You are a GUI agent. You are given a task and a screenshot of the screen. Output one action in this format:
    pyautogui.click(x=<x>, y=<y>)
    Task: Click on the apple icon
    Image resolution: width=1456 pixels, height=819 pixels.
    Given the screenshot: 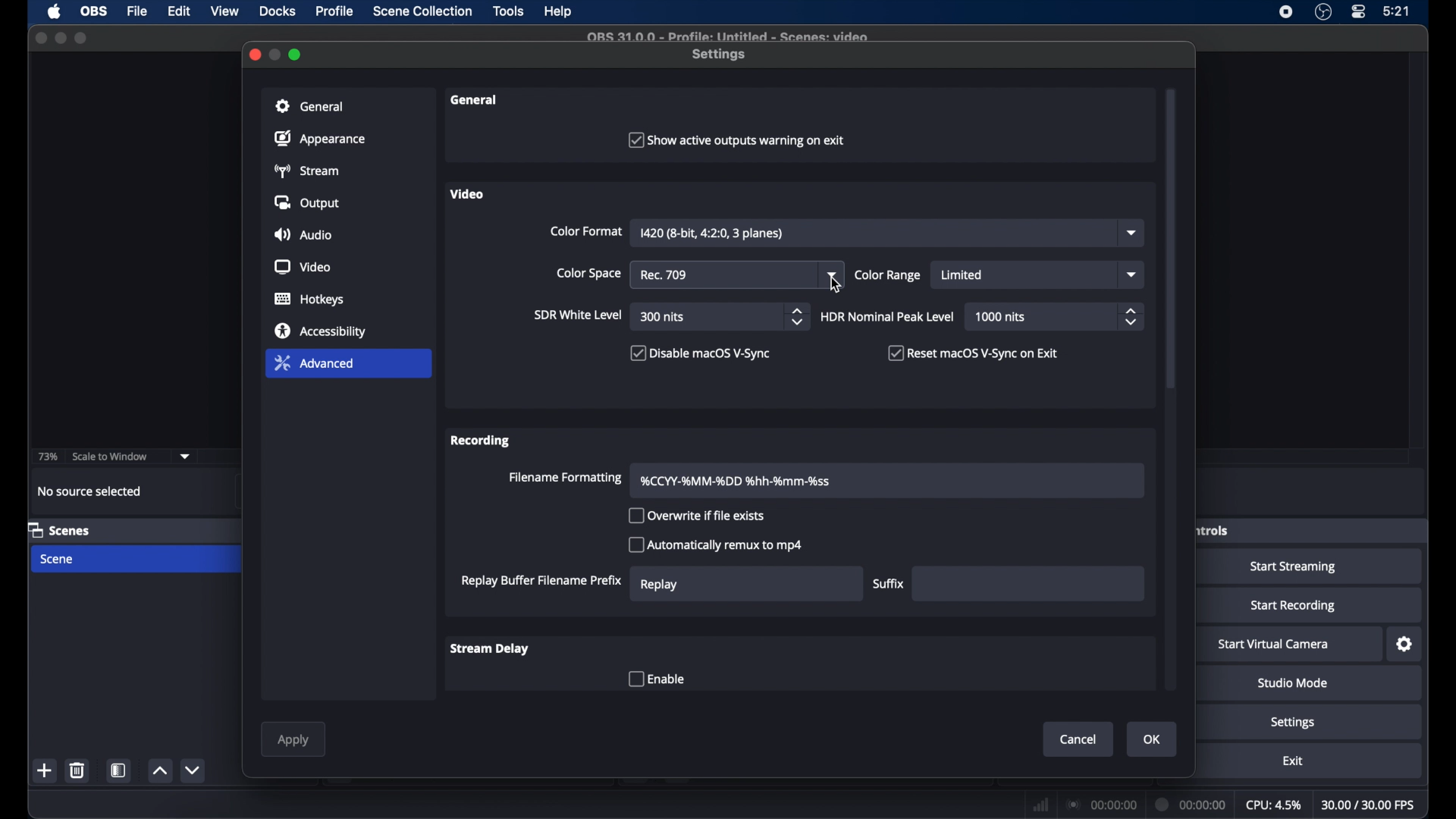 What is the action you would take?
    pyautogui.click(x=54, y=11)
    